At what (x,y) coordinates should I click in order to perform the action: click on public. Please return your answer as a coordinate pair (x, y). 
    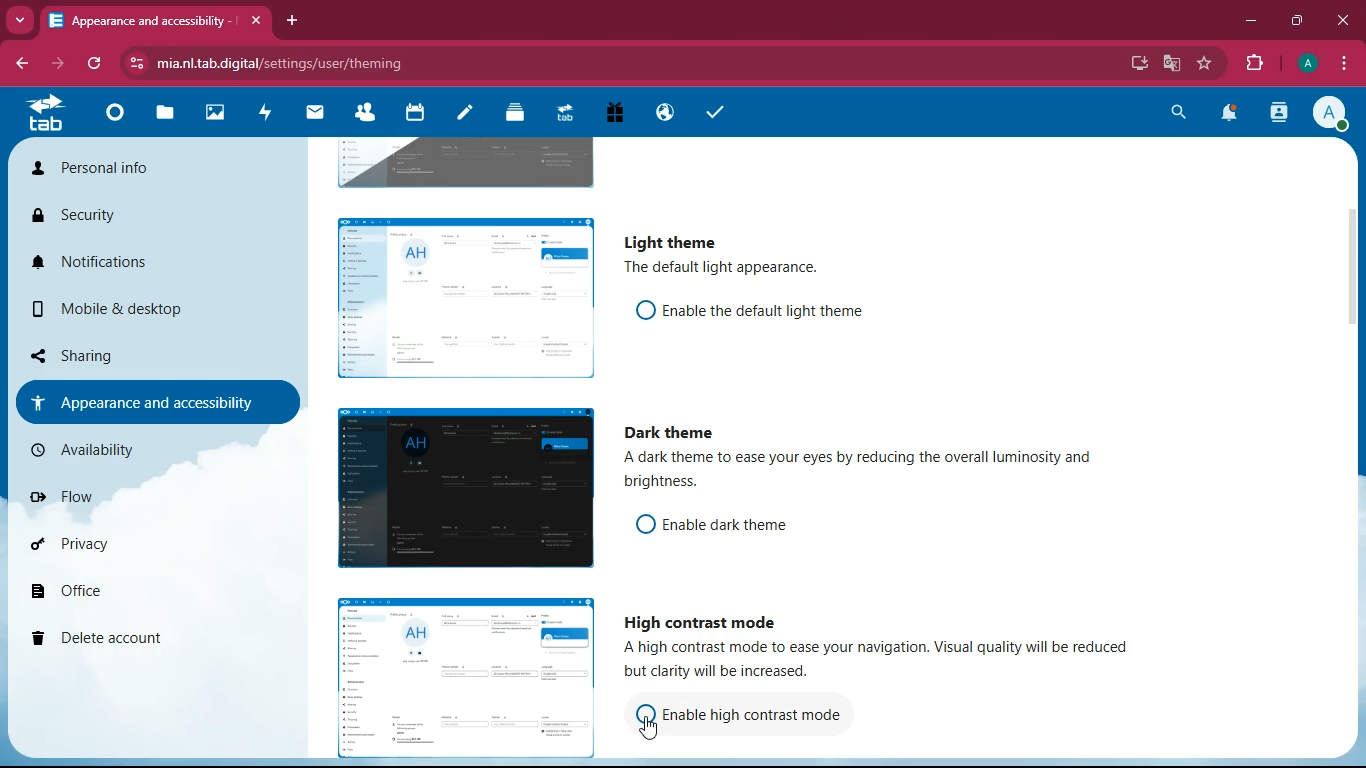
    Looking at the image, I should click on (662, 114).